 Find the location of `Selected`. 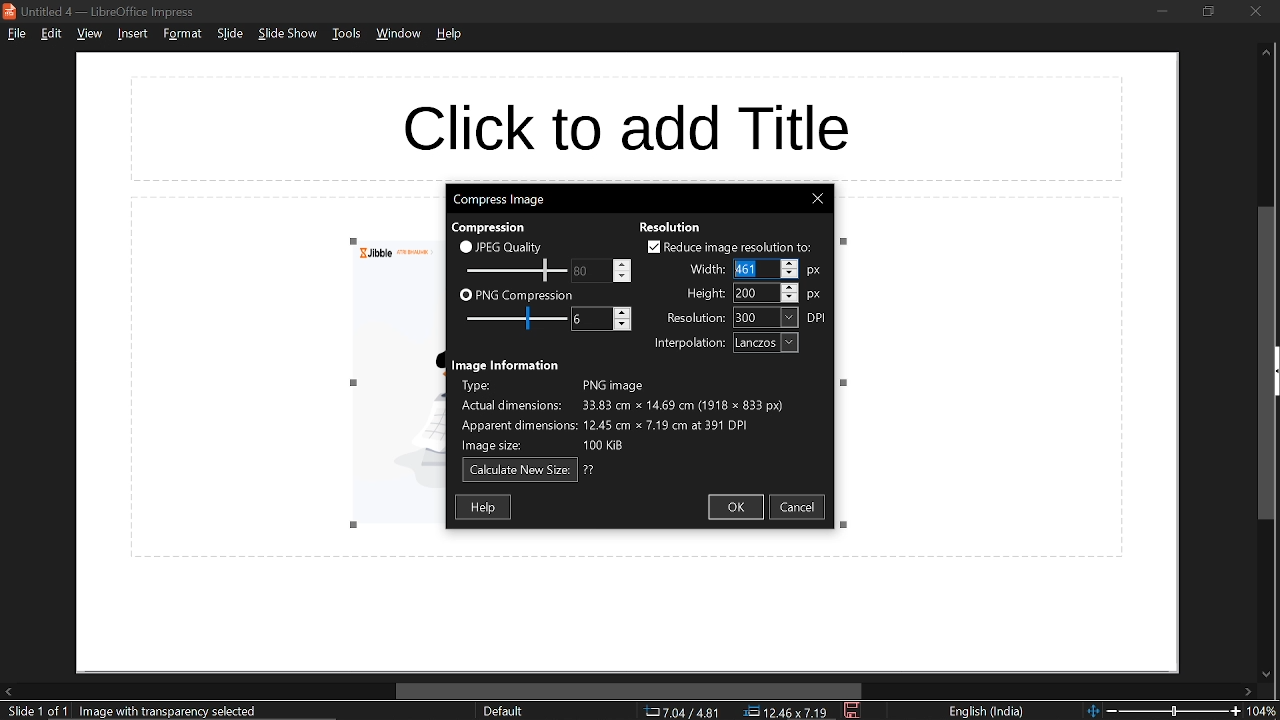

Selected is located at coordinates (749, 269).